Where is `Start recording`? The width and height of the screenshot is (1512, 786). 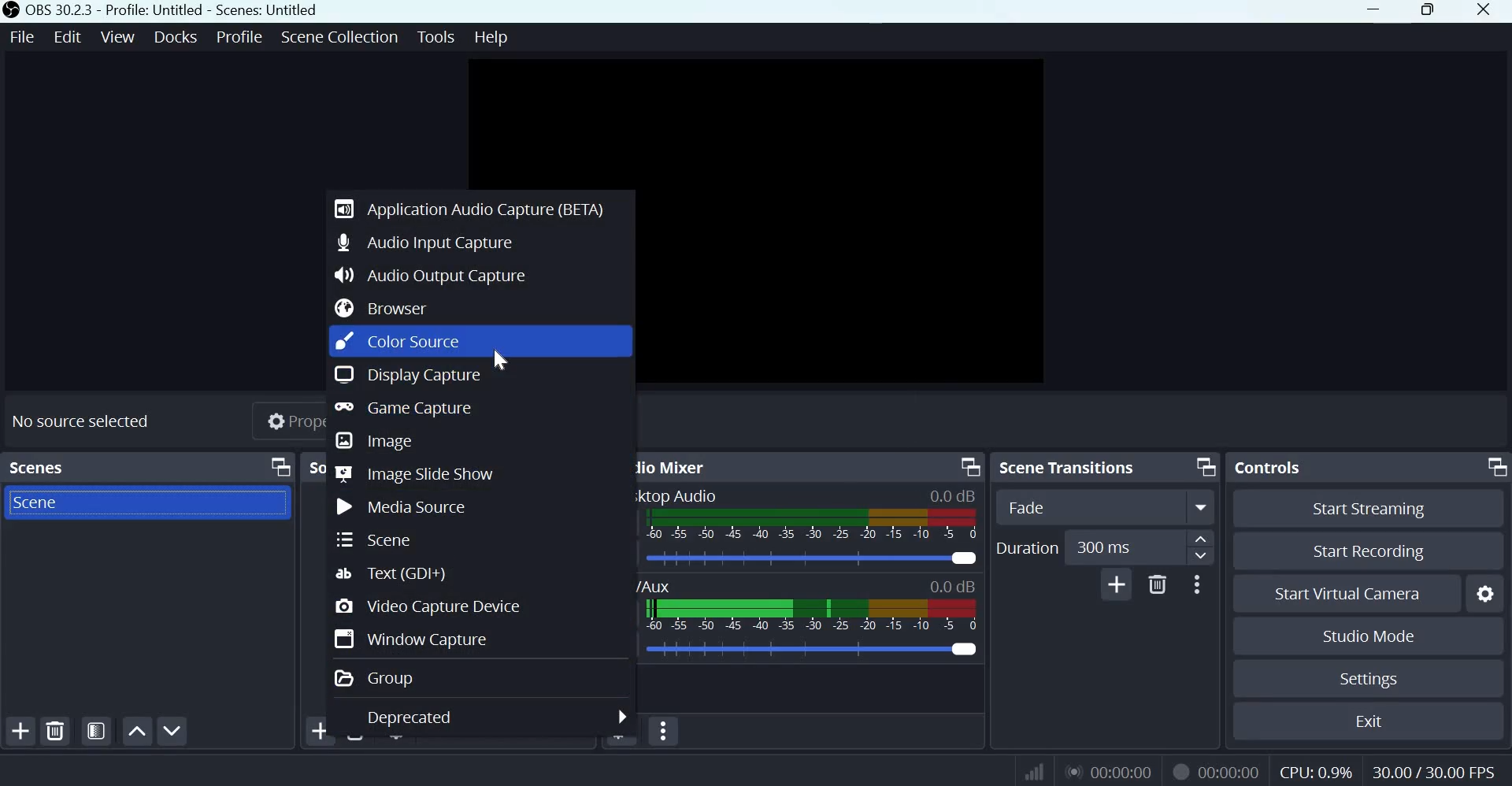
Start recording is located at coordinates (1377, 552).